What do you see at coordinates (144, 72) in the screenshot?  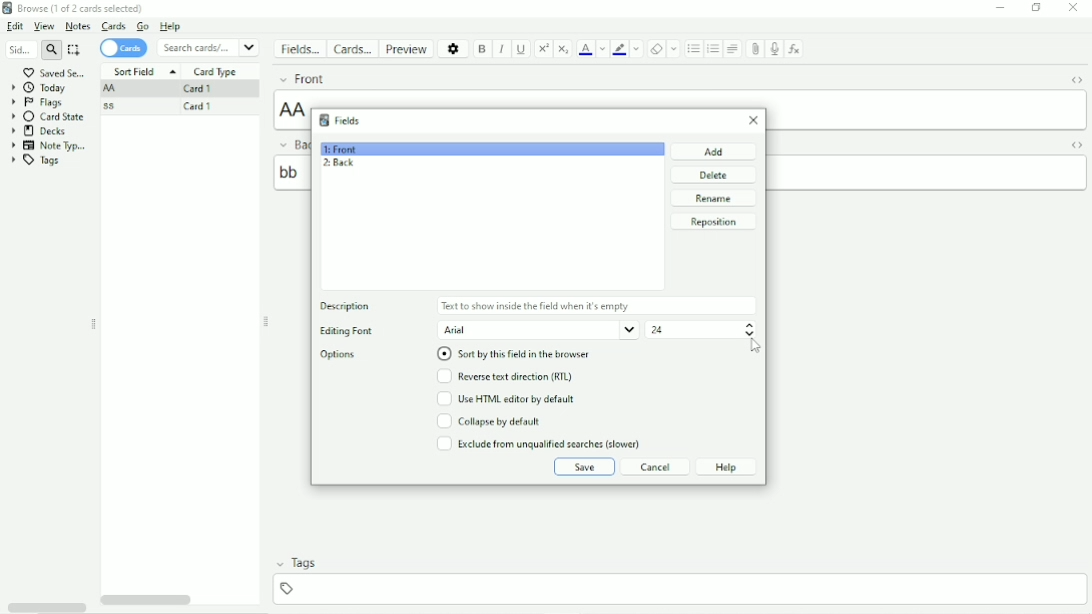 I see `Sort Field` at bounding box center [144, 72].